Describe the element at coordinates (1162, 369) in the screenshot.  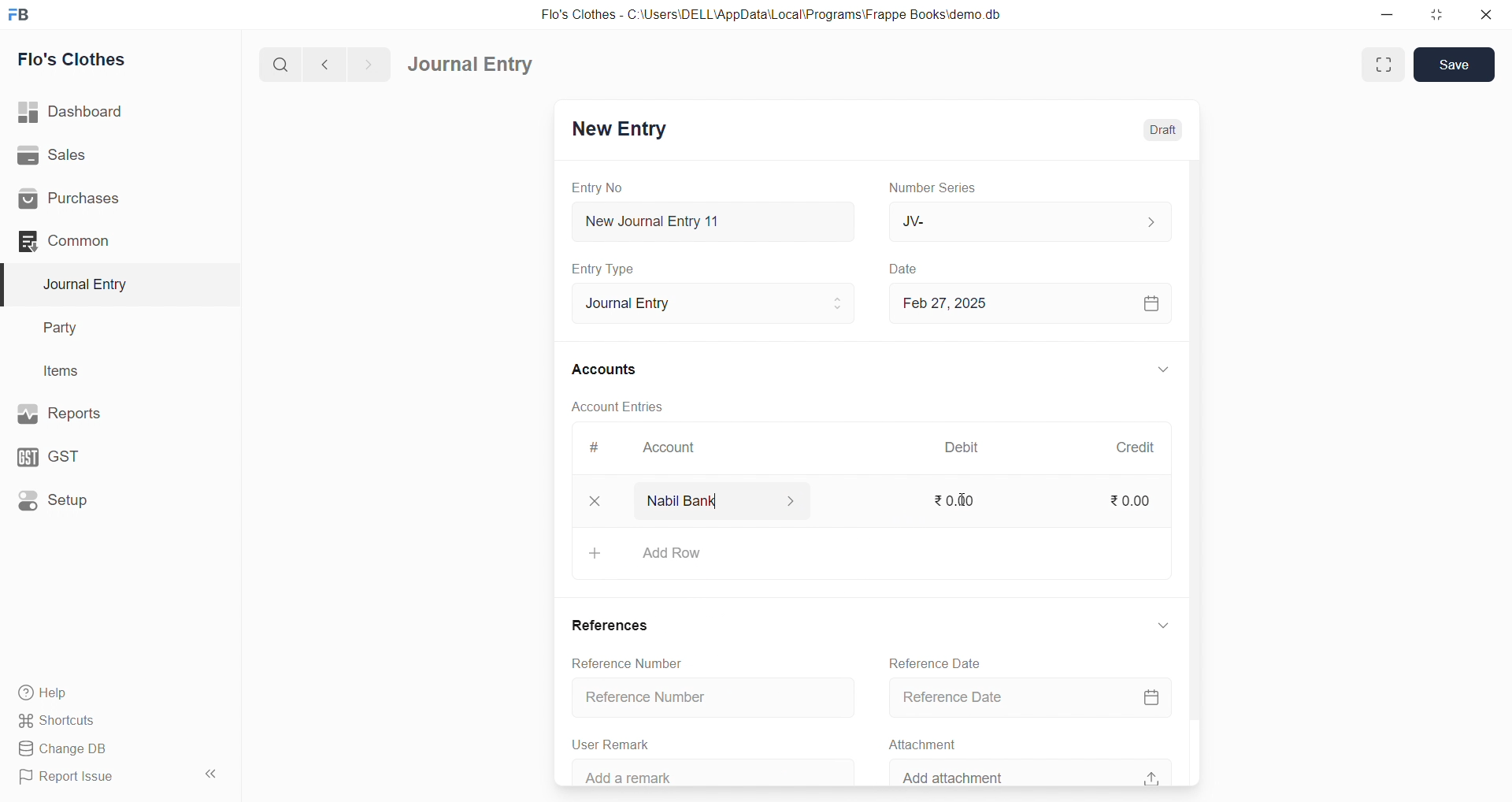
I see `EXPAND/COLLAPSE` at that location.